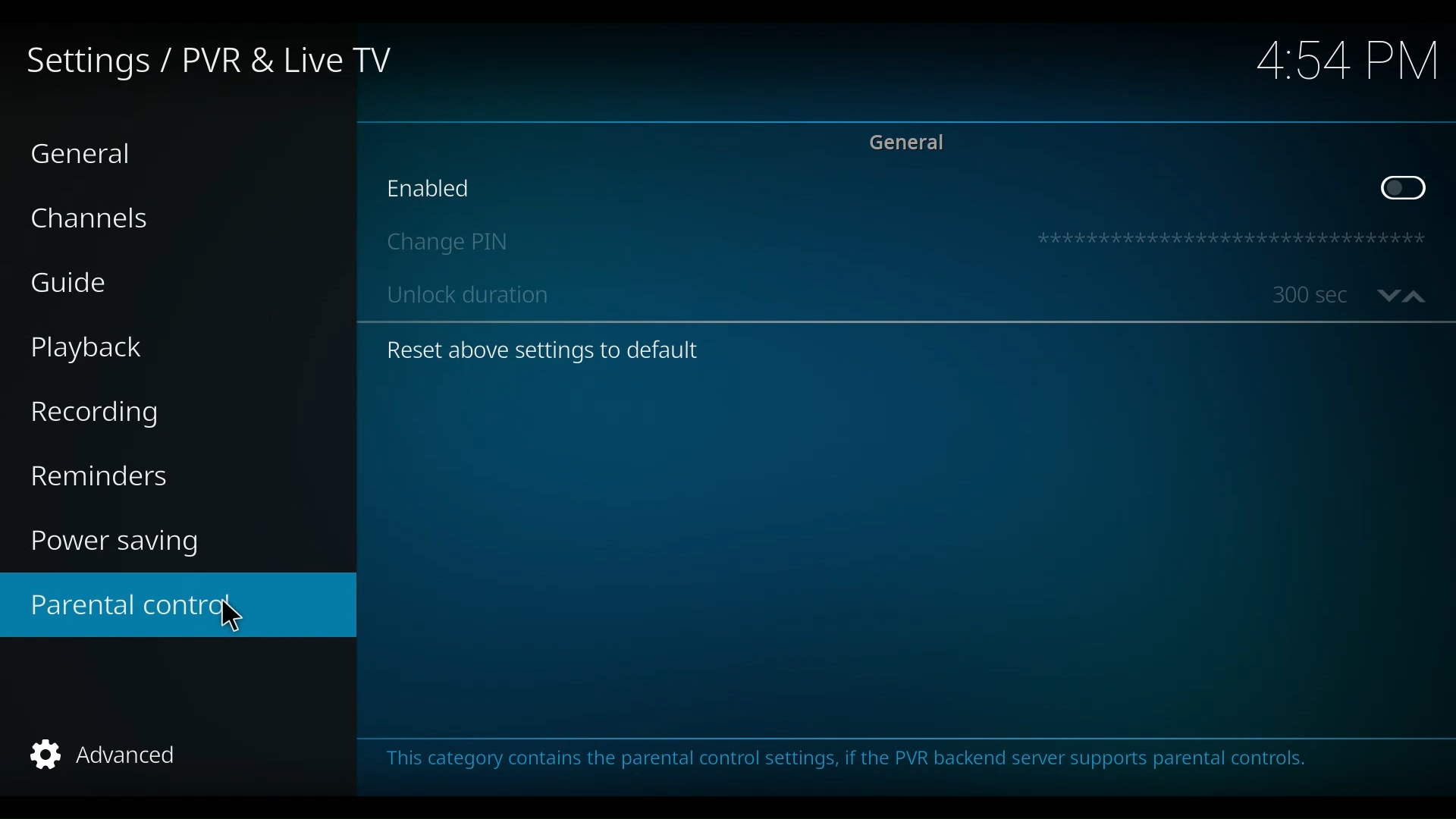 The image size is (1456, 819). What do you see at coordinates (105, 755) in the screenshot?
I see `Advanced` at bounding box center [105, 755].